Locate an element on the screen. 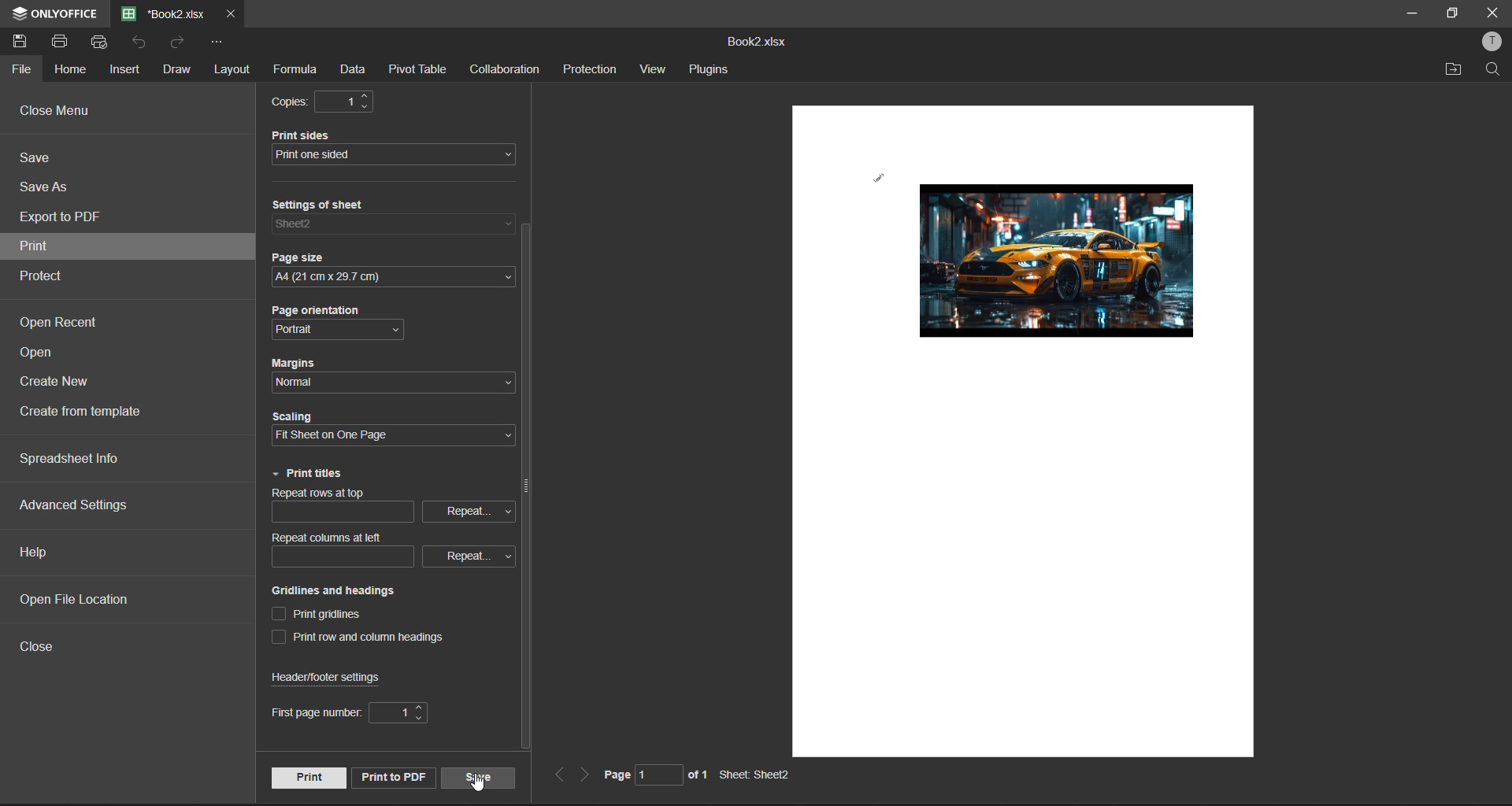 The height and width of the screenshot is (806, 1512). help is located at coordinates (38, 553).